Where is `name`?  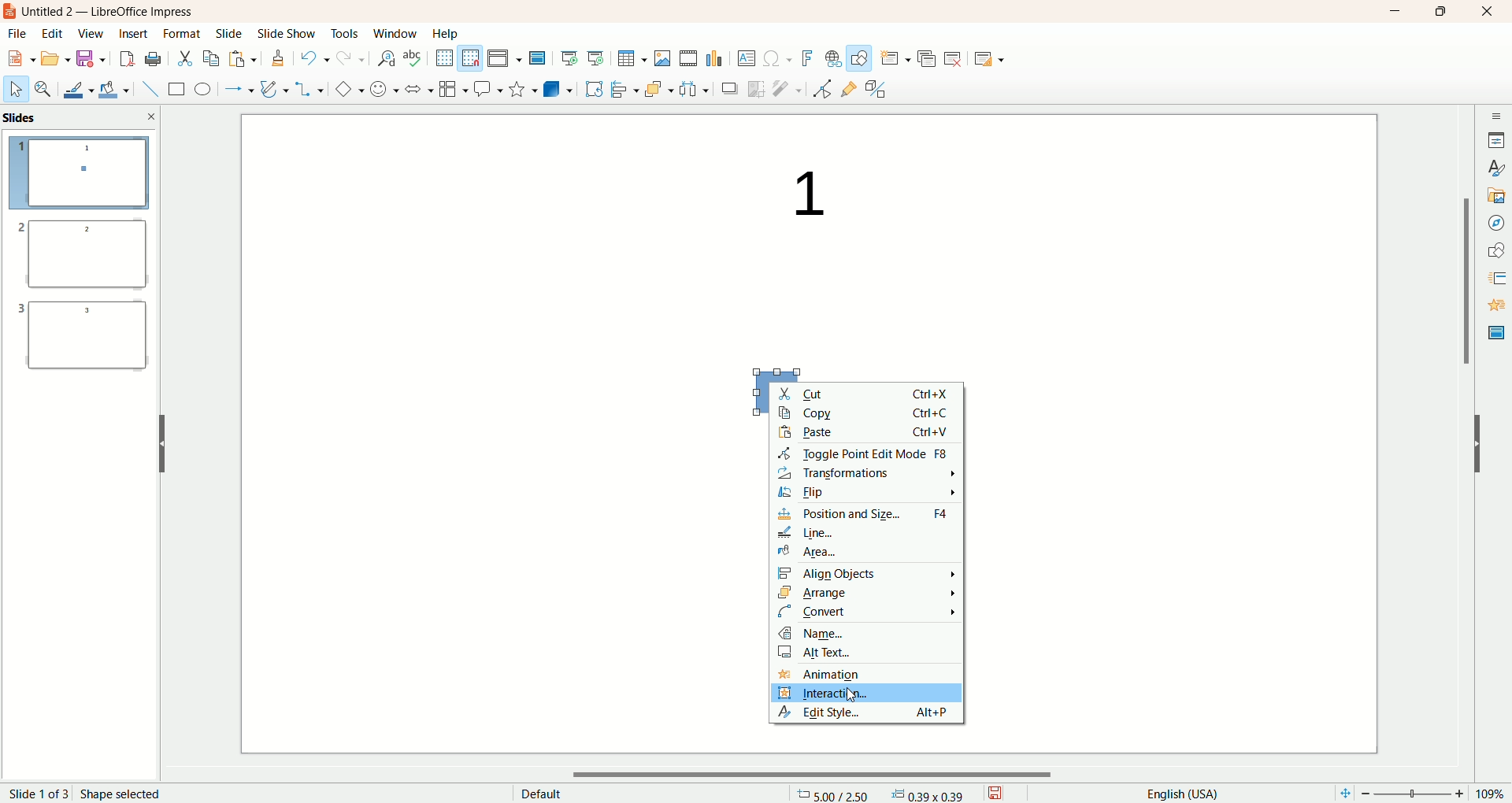
name is located at coordinates (867, 632).